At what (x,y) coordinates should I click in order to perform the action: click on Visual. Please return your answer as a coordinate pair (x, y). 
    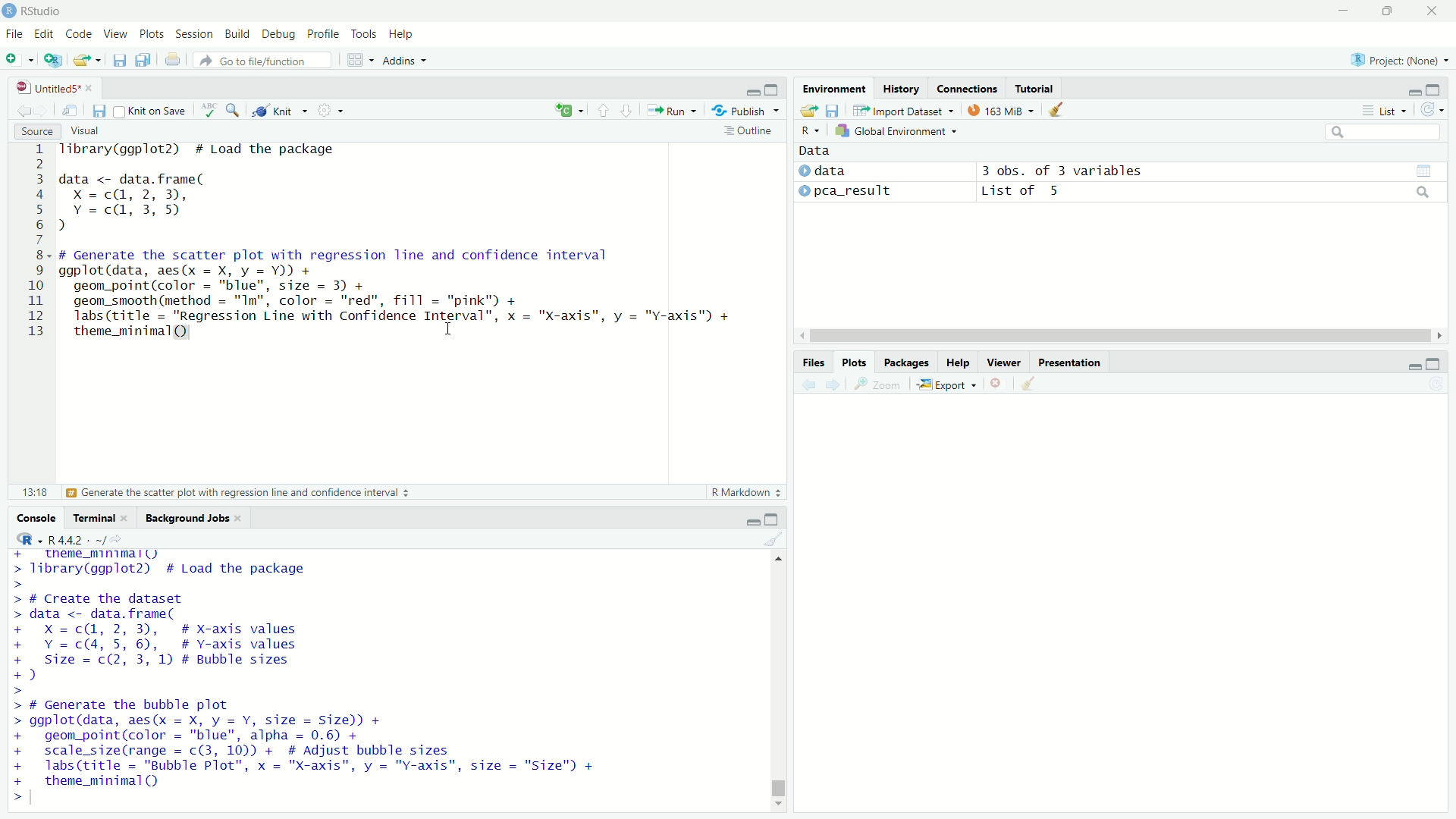
    Looking at the image, I should click on (85, 131).